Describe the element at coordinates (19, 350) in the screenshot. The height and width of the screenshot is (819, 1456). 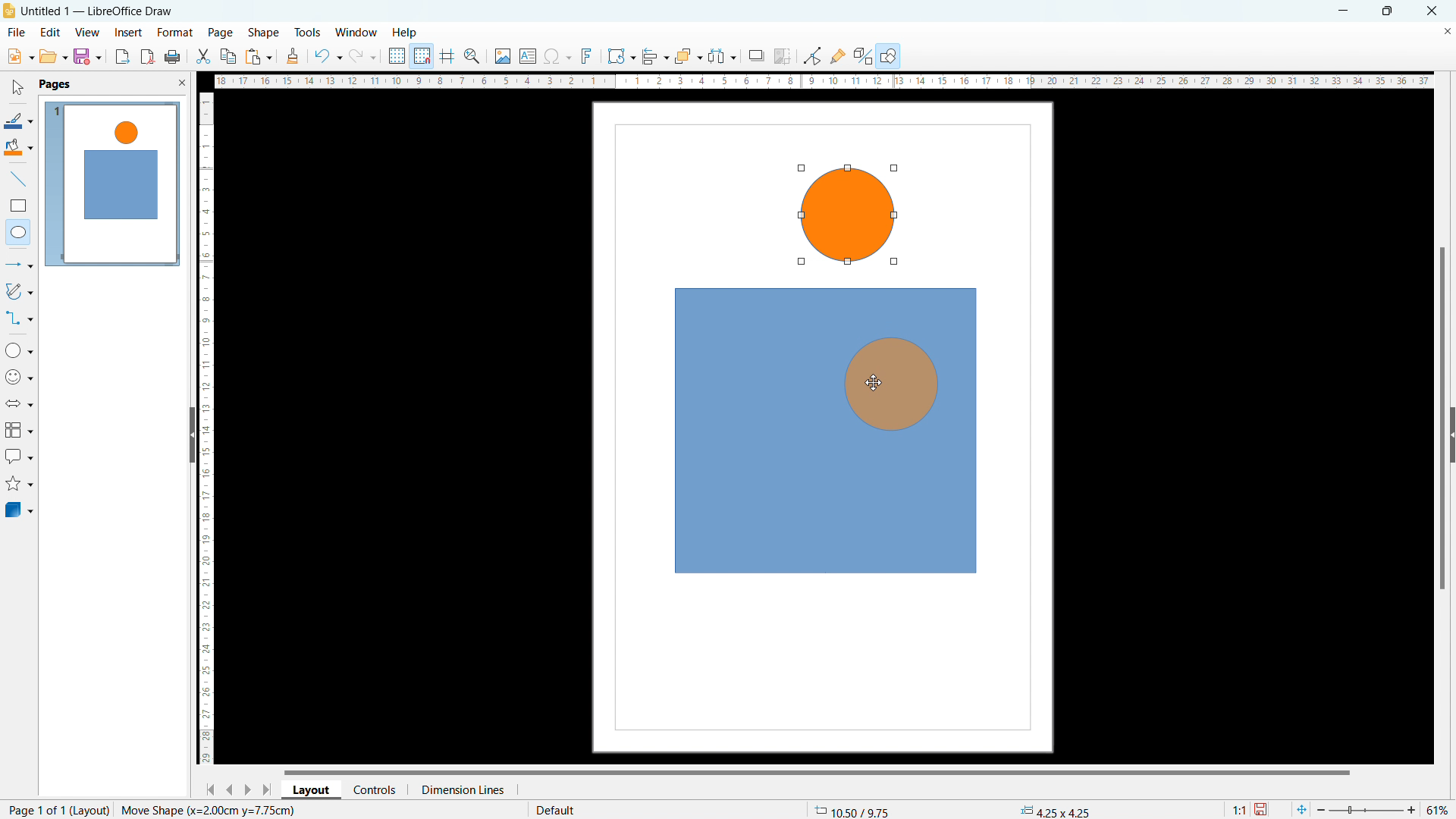
I see `basic shapes` at that location.